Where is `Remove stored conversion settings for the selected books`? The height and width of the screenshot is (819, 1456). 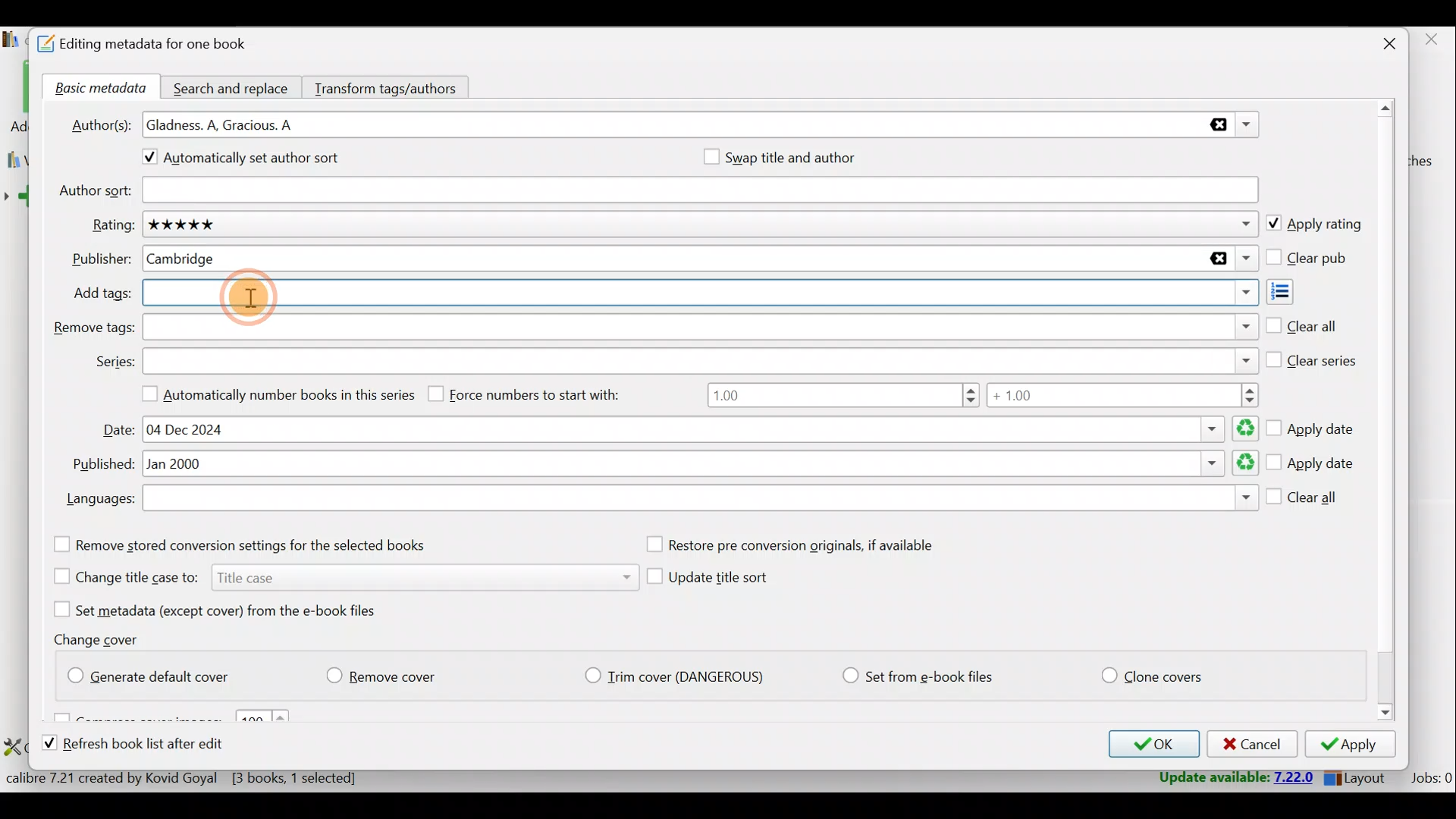
Remove stored conversion settings for the selected books is located at coordinates (260, 544).